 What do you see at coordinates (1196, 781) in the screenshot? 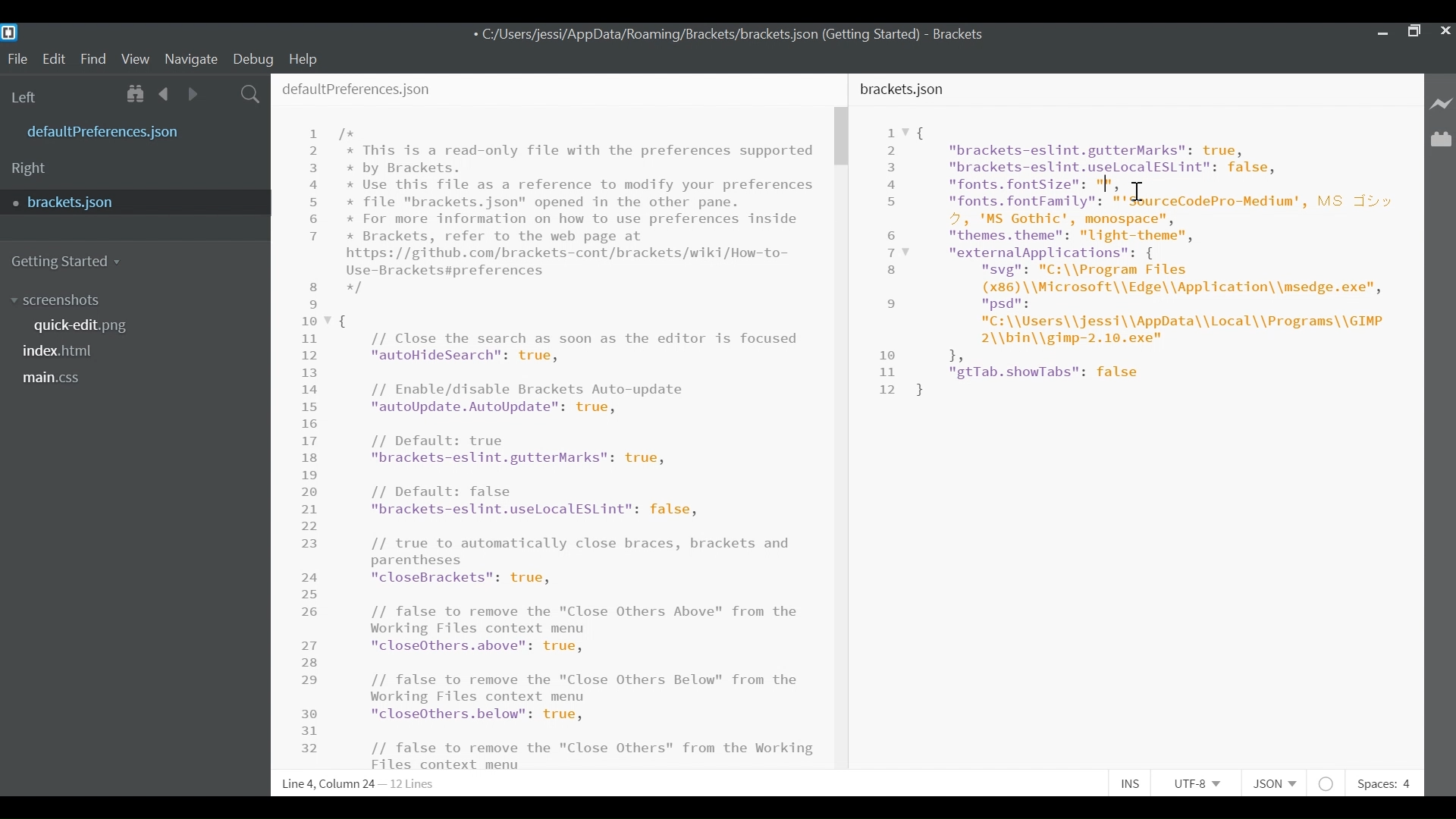
I see `UTF-8` at bounding box center [1196, 781].